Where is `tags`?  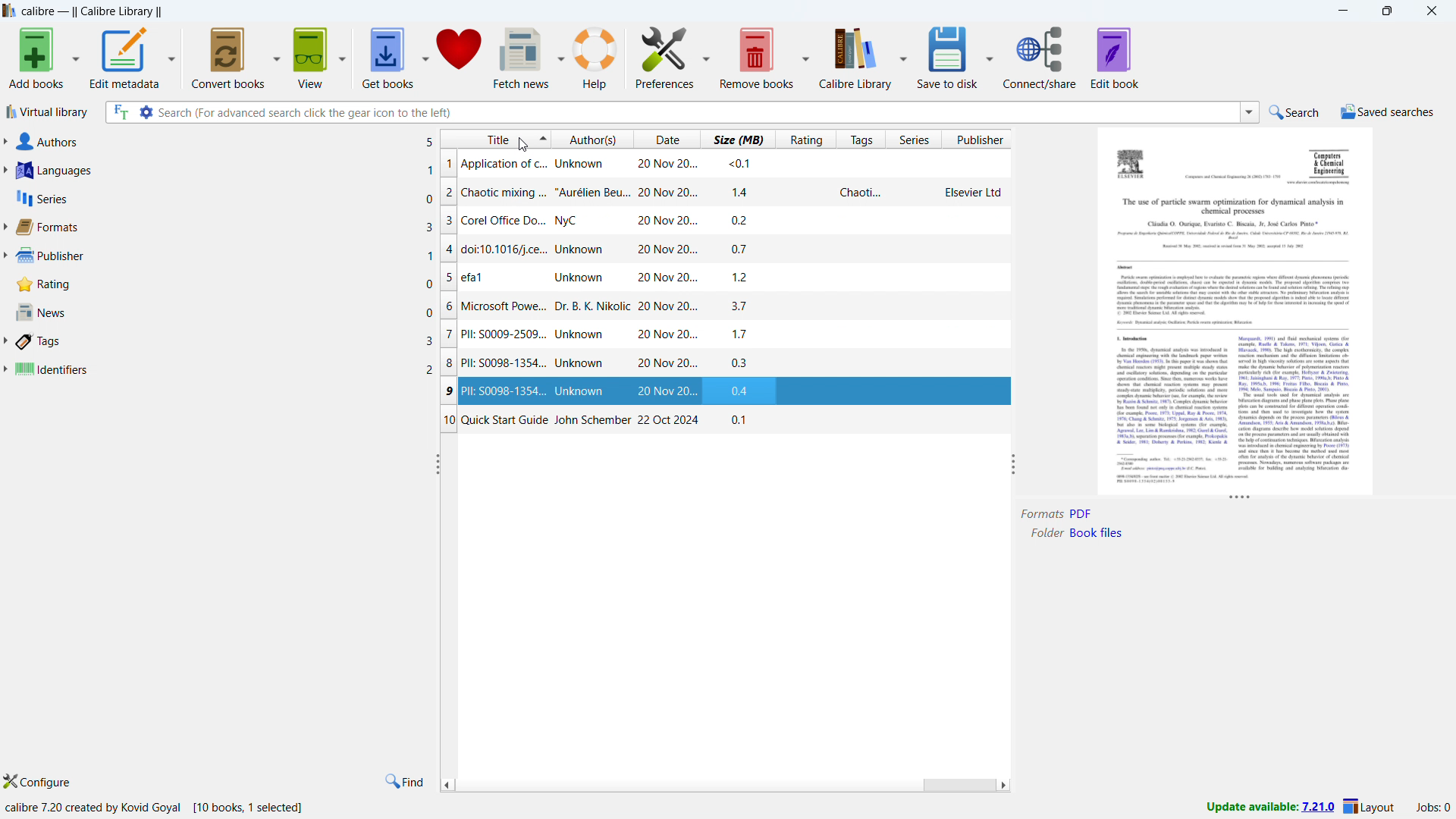 tags is located at coordinates (226, 341).